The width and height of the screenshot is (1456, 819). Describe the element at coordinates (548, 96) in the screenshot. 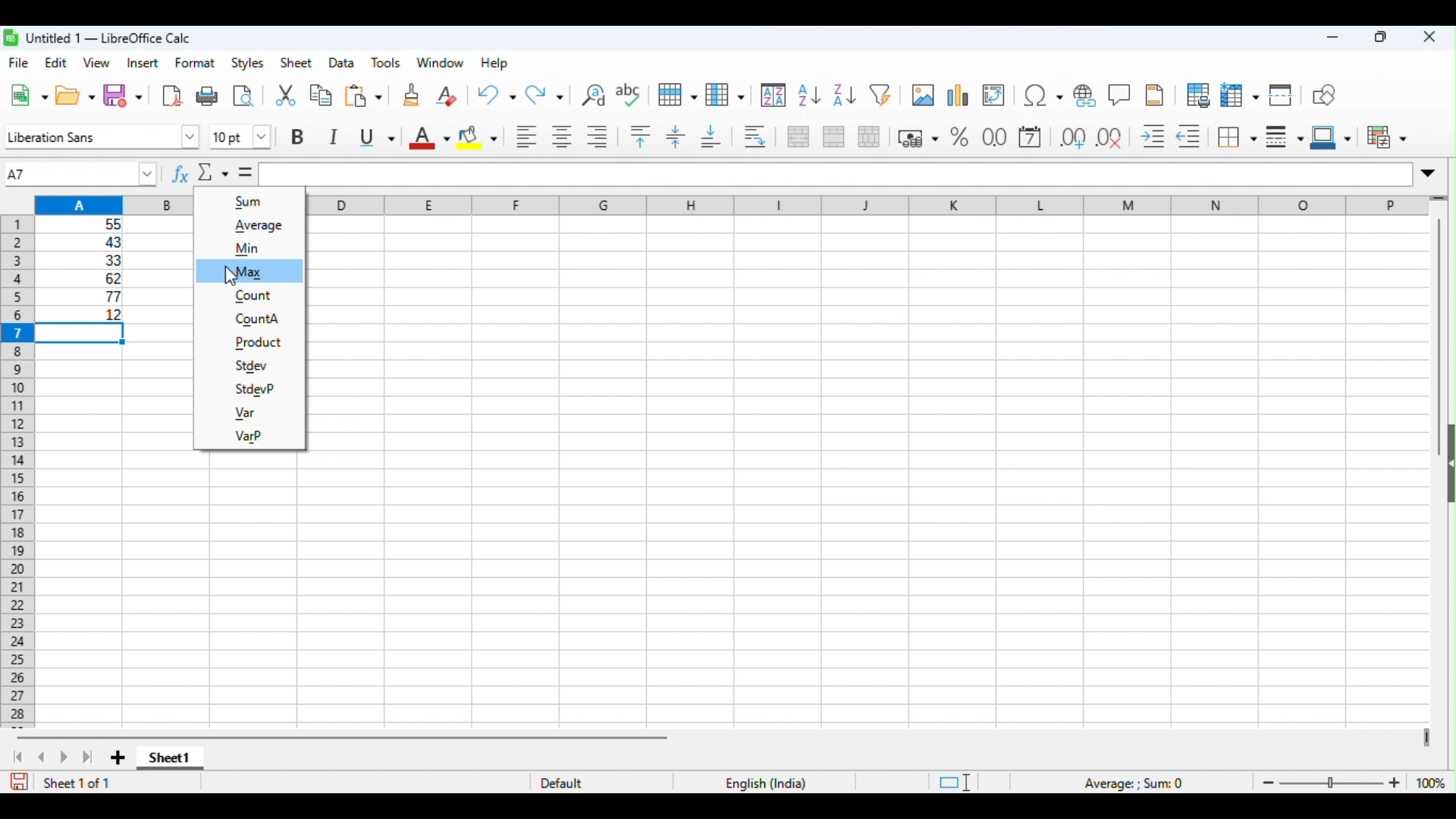

I see `redo` at that location.